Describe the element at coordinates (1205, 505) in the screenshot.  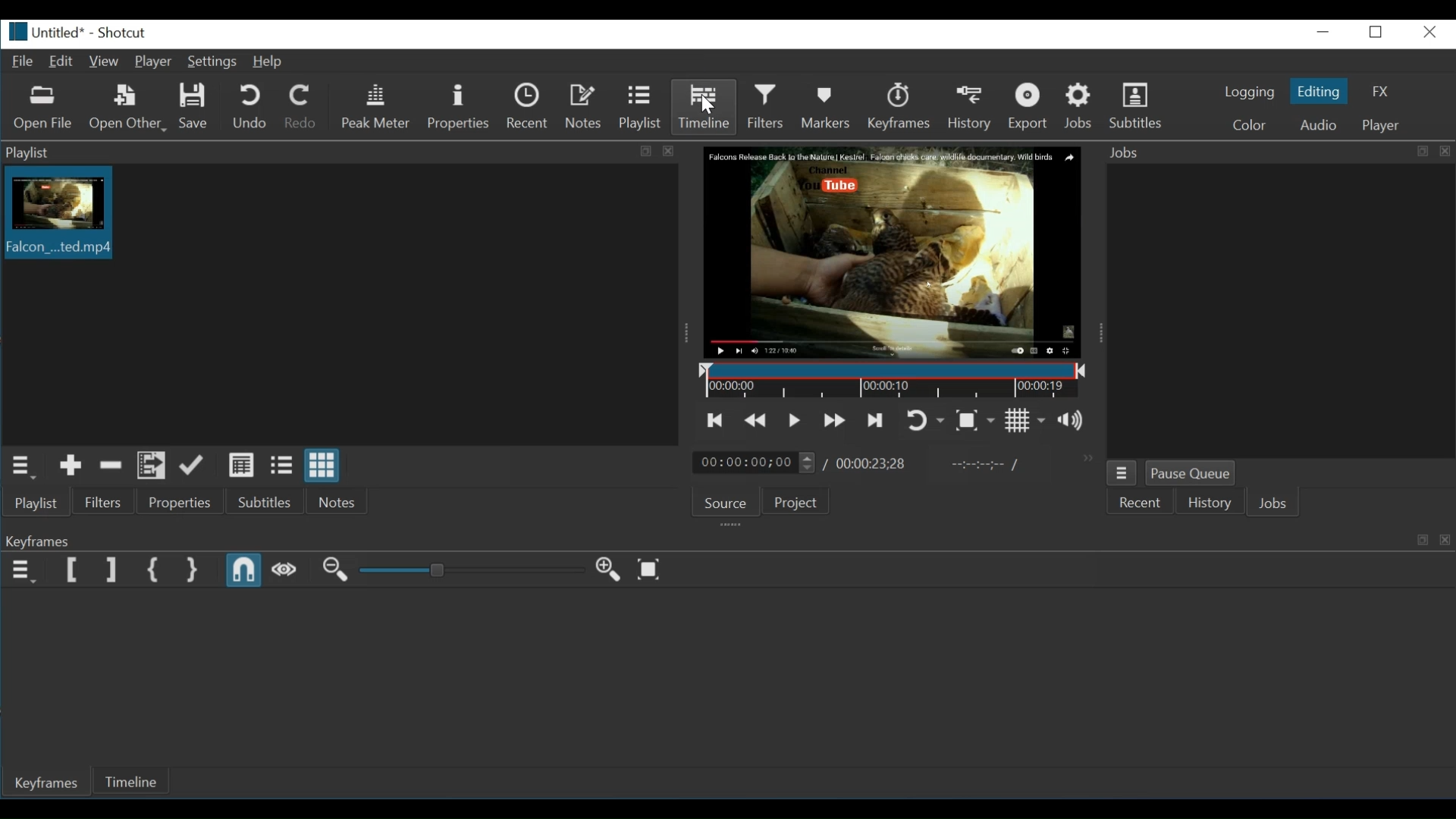
I see `History` at that location.